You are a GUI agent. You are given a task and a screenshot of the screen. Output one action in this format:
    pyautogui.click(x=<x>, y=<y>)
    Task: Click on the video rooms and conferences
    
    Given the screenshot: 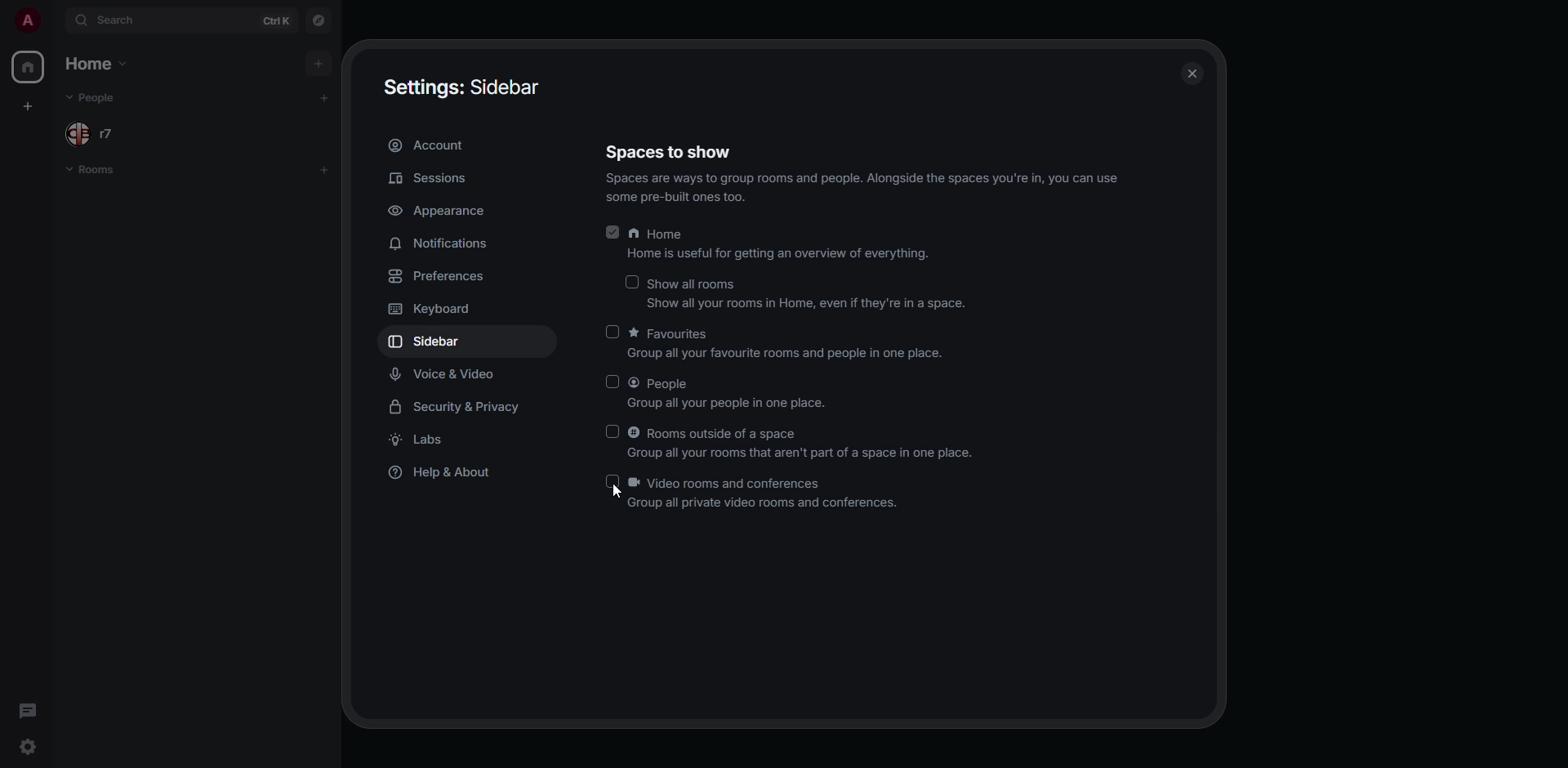 What is the action you would take?
    pyautogui.click(x=771, y=493)
    